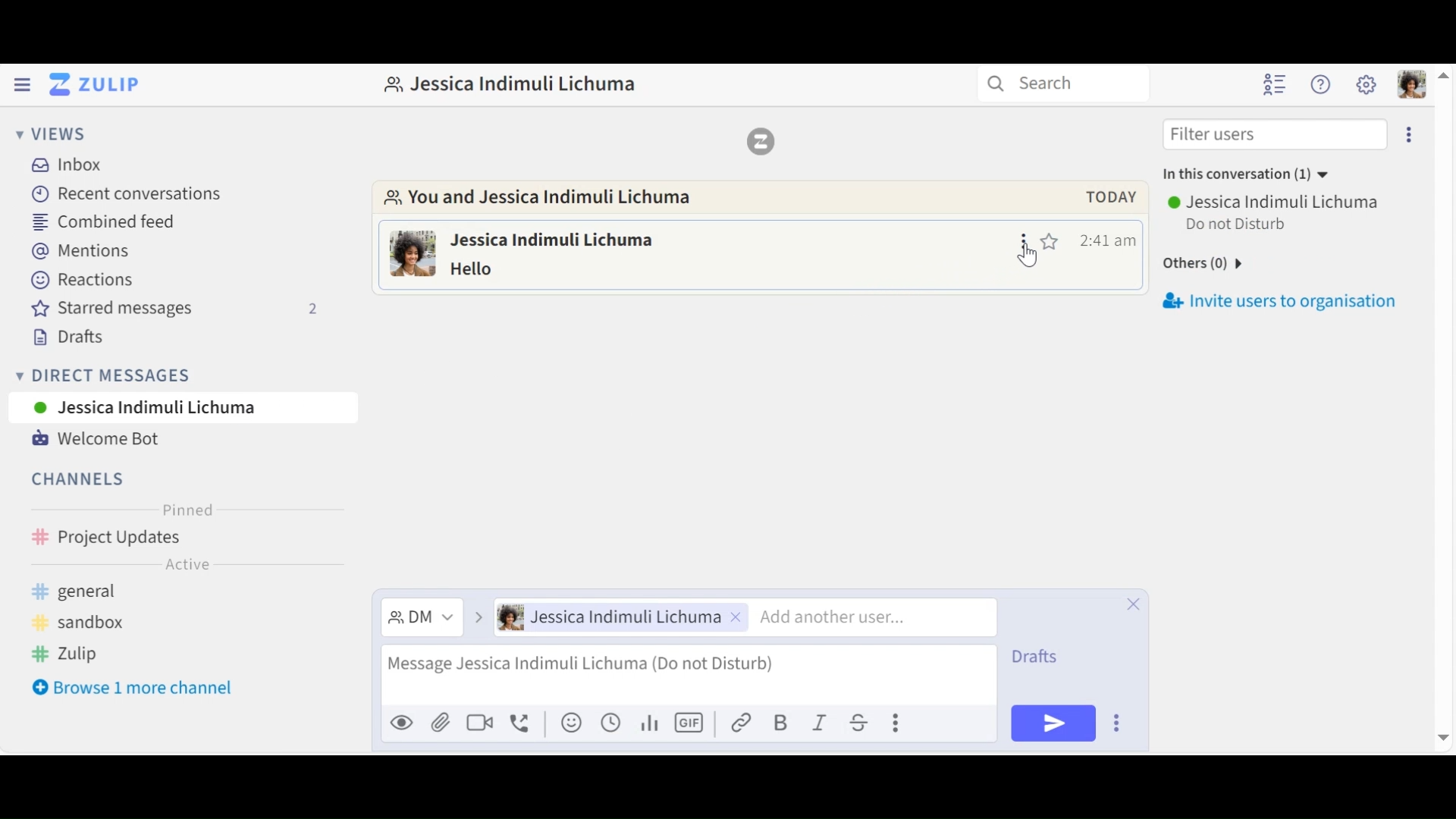  Describe the element at coordinates (1025, 240) in the screenshot. I see `message actions` at that location.